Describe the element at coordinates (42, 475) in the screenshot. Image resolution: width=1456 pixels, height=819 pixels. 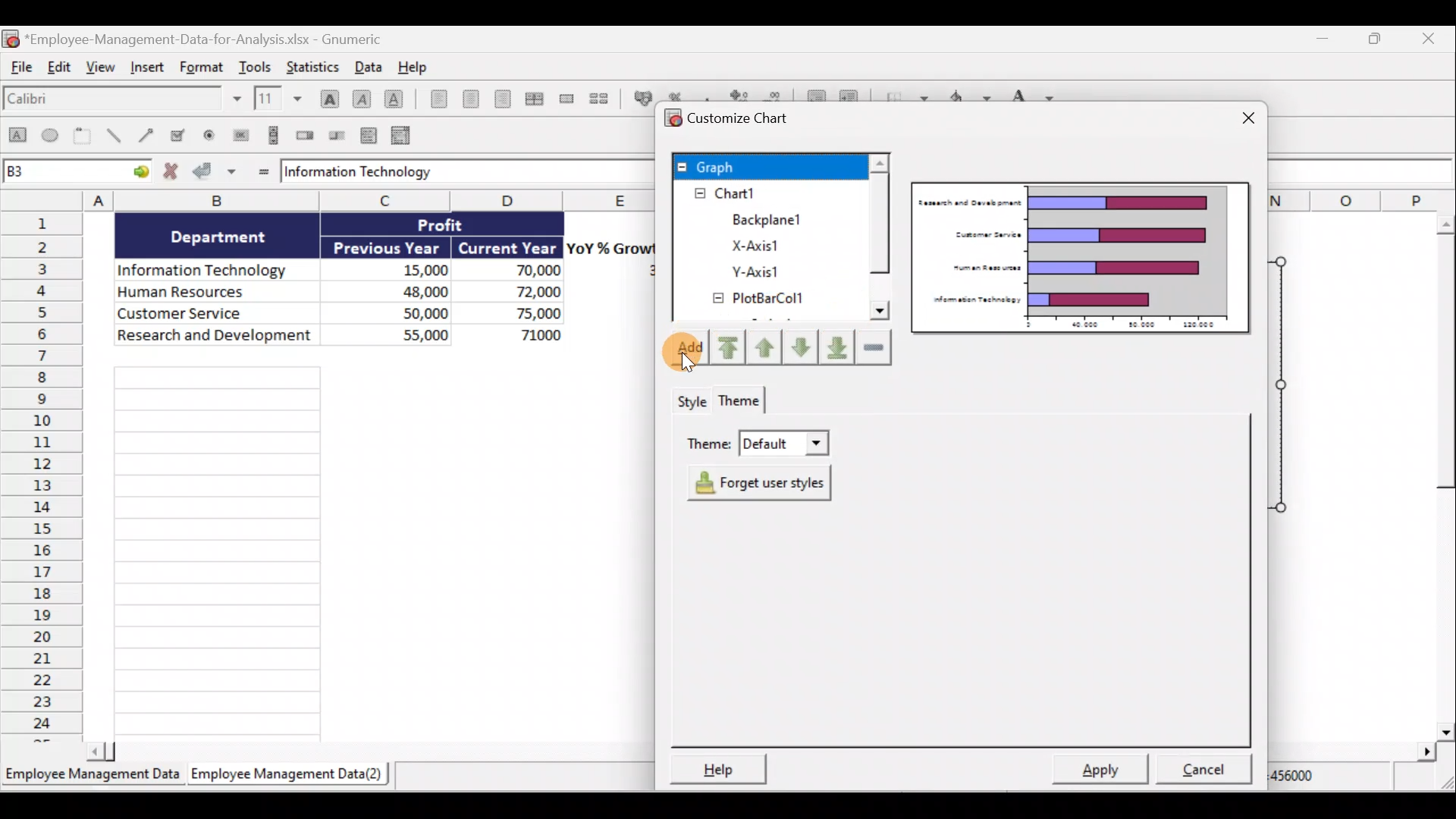
I see `Rows` at that location.